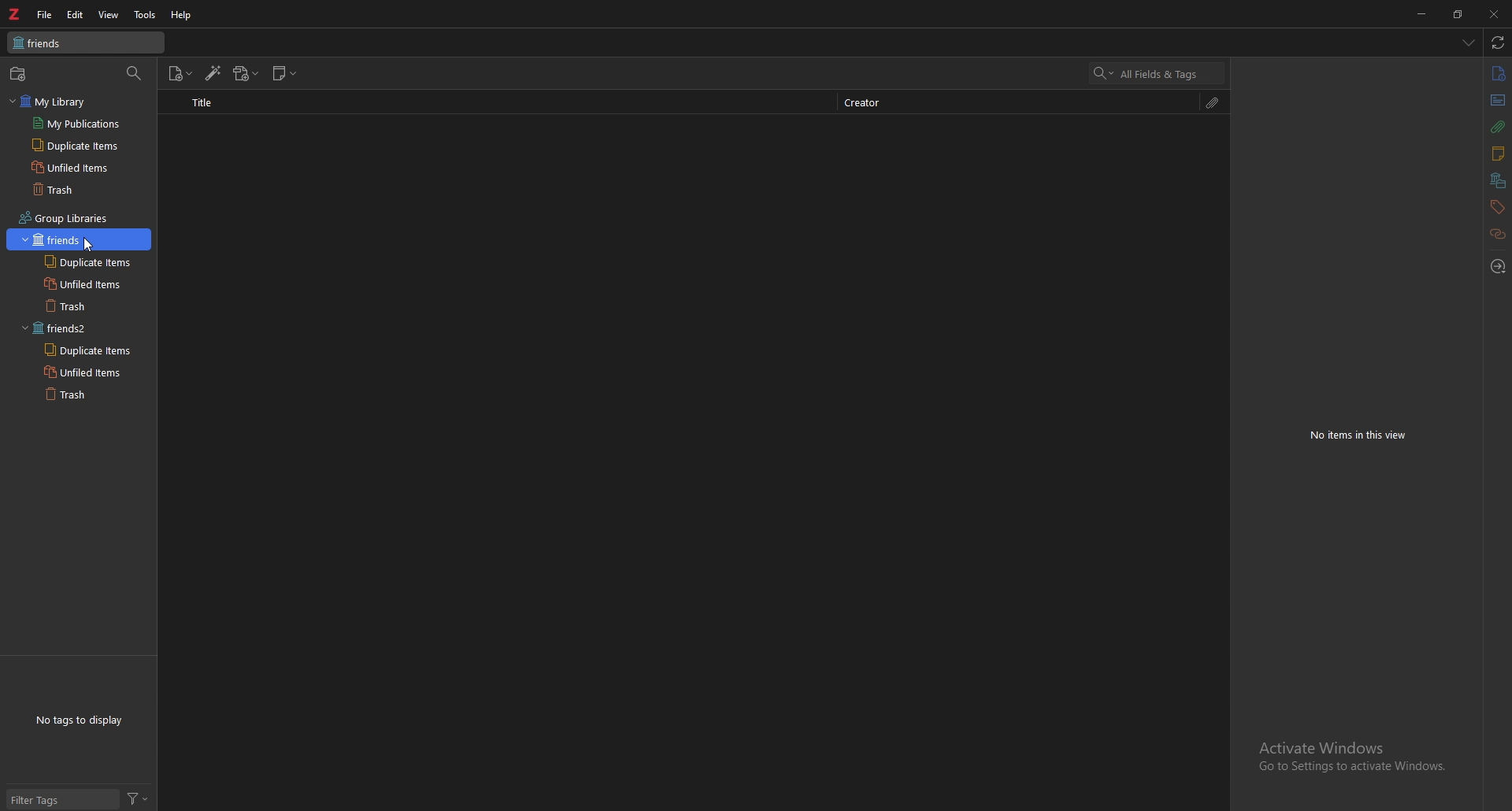 This screenshot has width=1512, height=811. I want to click on cursor, so click(94, 244).